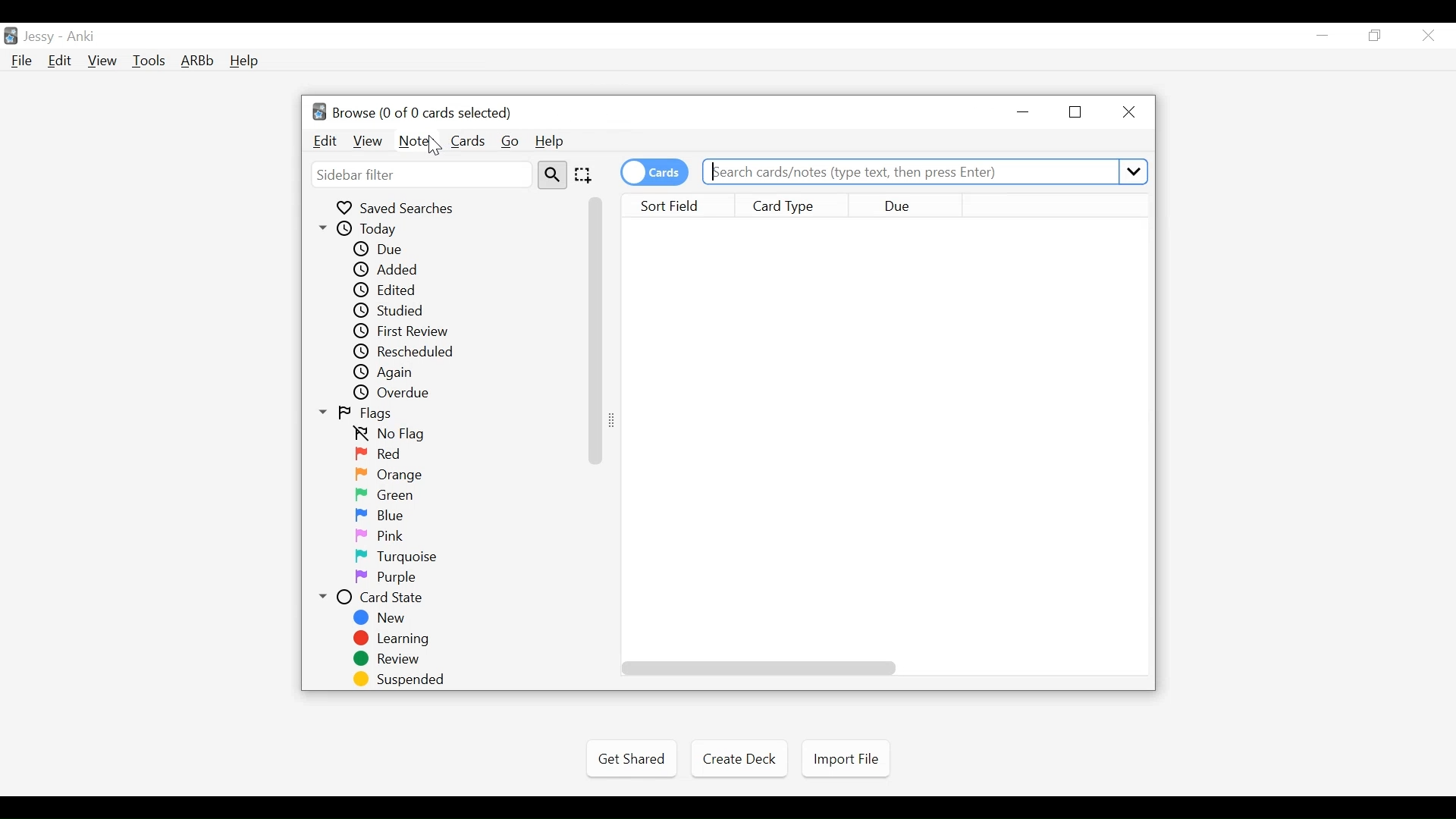  I want to click on Tools, so click(149, 60).